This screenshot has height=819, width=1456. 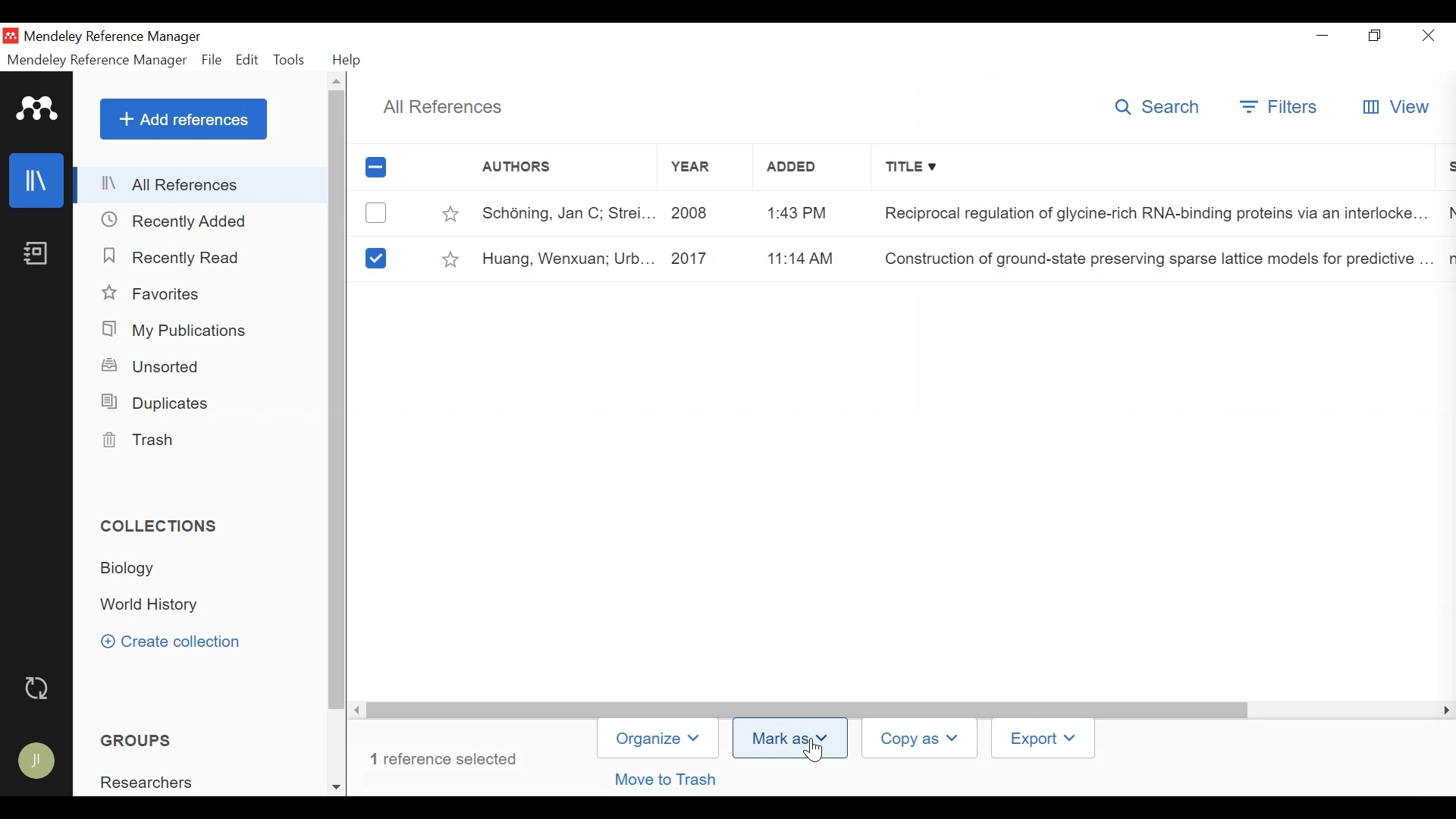 What do you see at coordinates (35, 180) in the screenshot?
I see `Library` at bounding box center [35, 180].